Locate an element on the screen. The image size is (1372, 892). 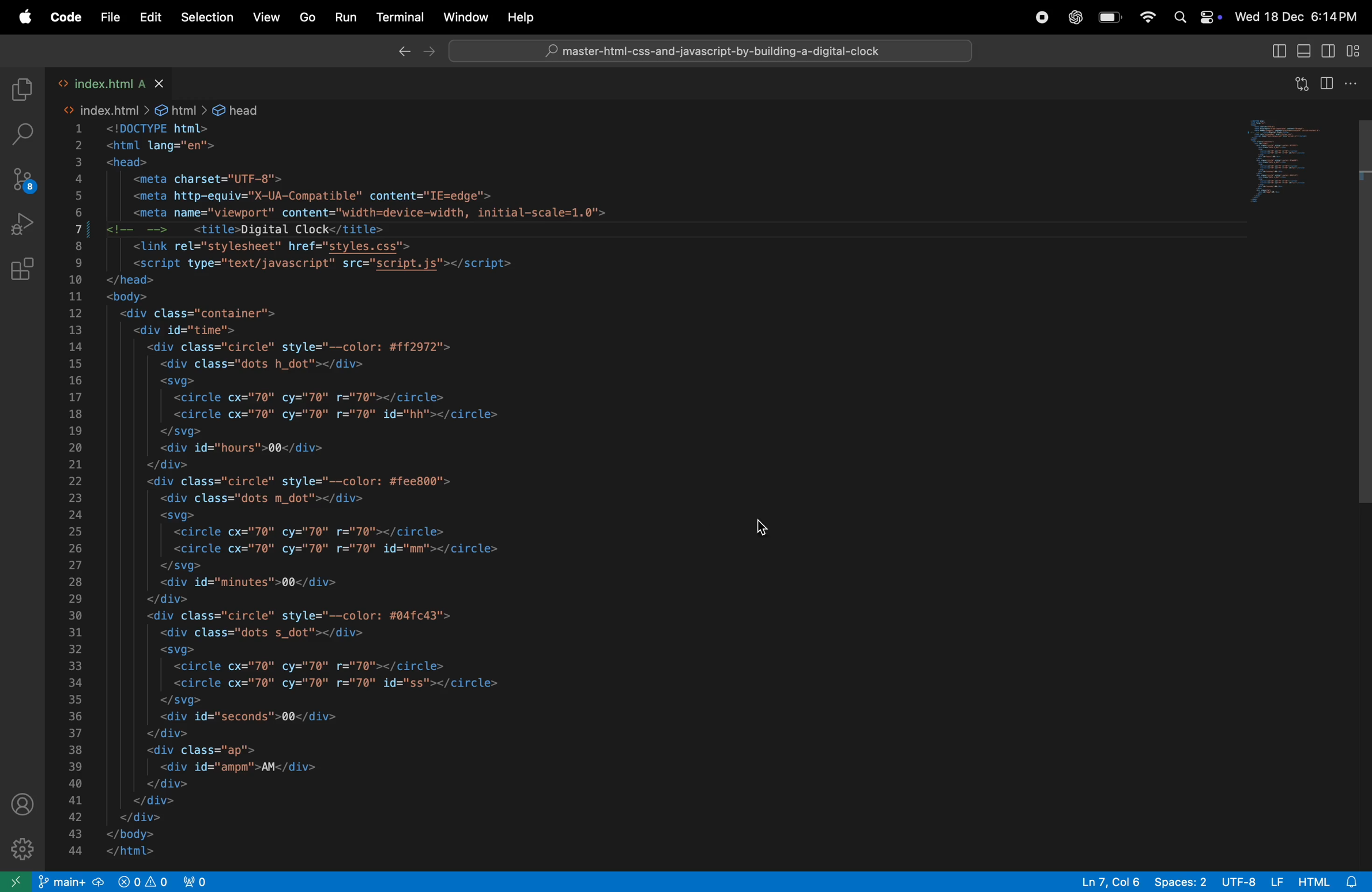
chat gpt is located at coordinates (1073, 16).